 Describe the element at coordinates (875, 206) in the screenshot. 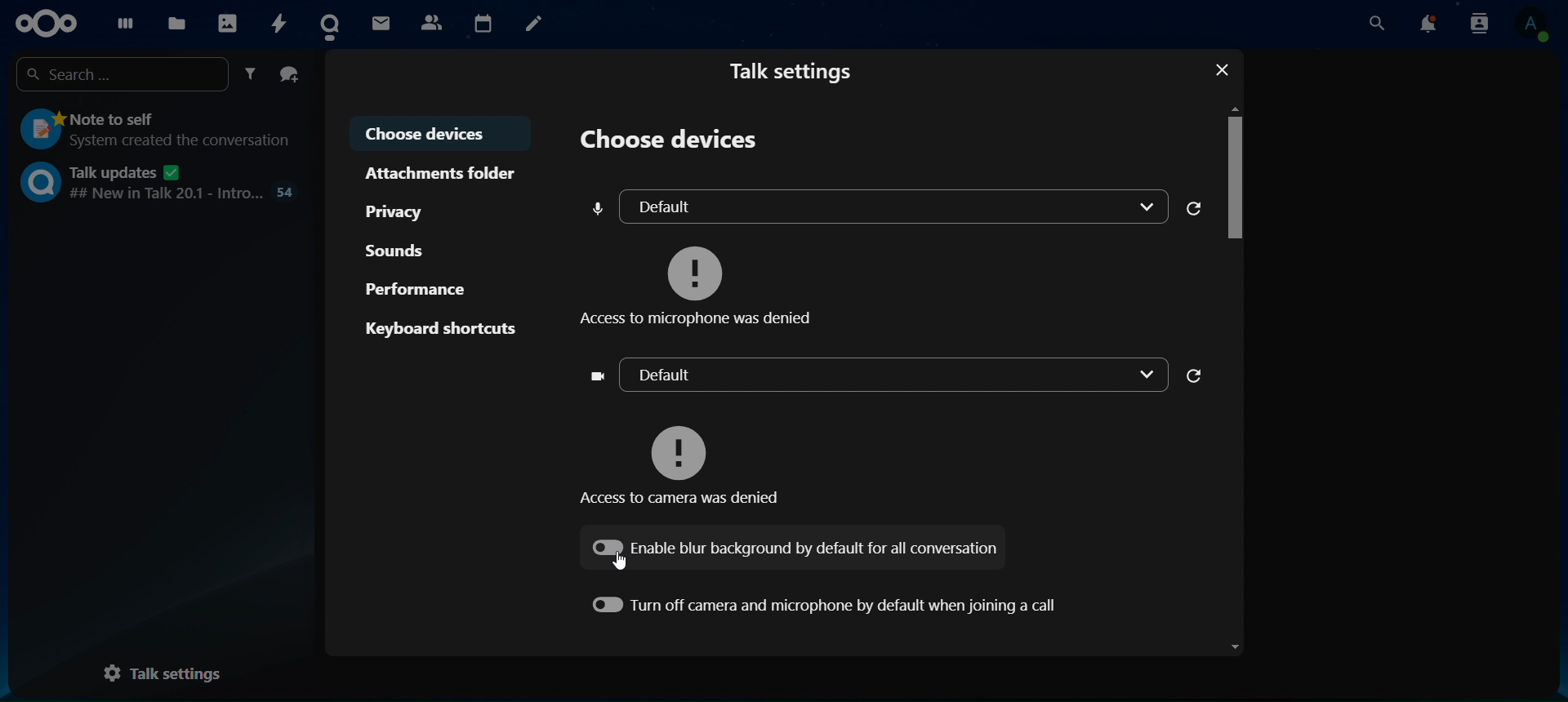

I see `default` at that location.